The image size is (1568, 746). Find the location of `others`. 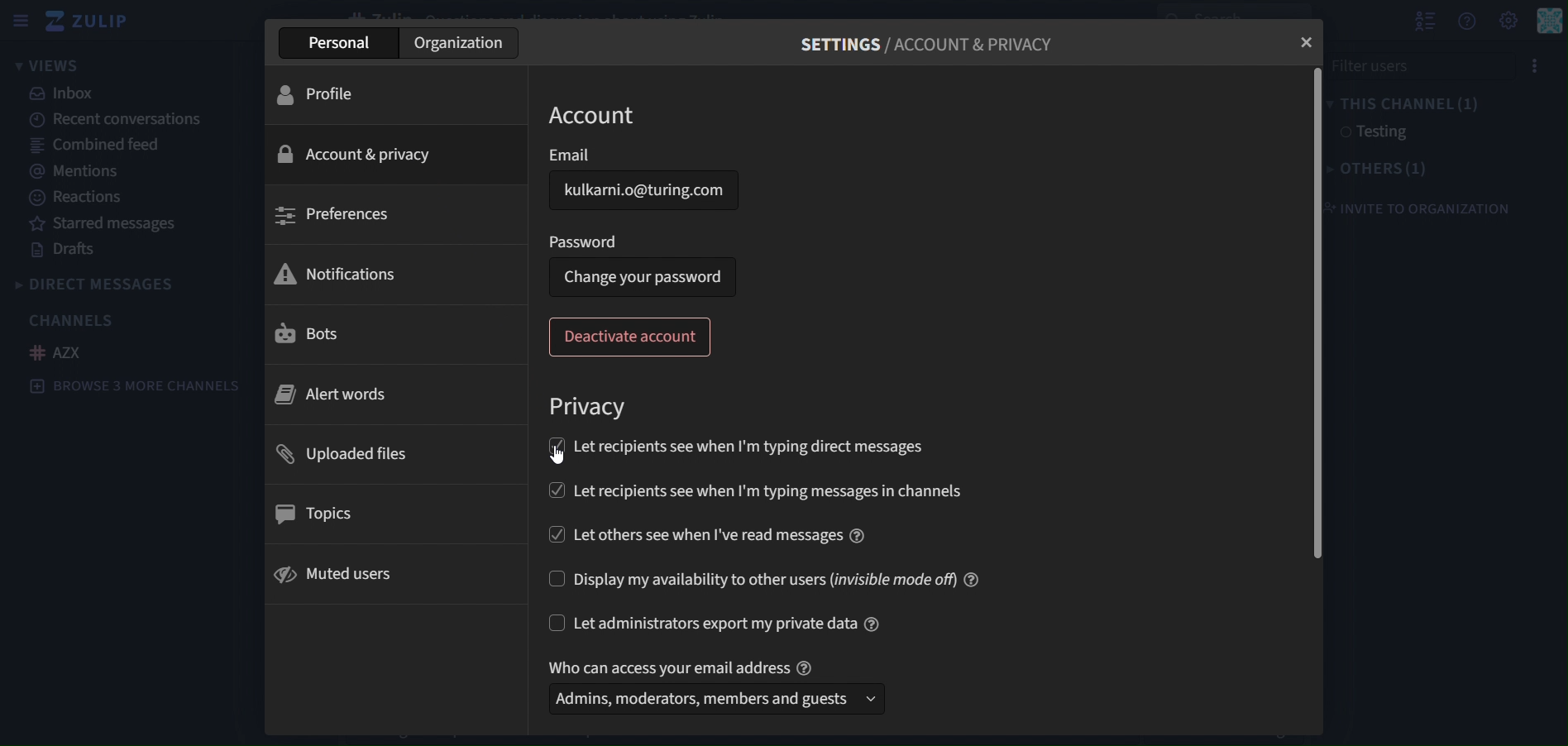

others is located at coordinates (1384, 171).